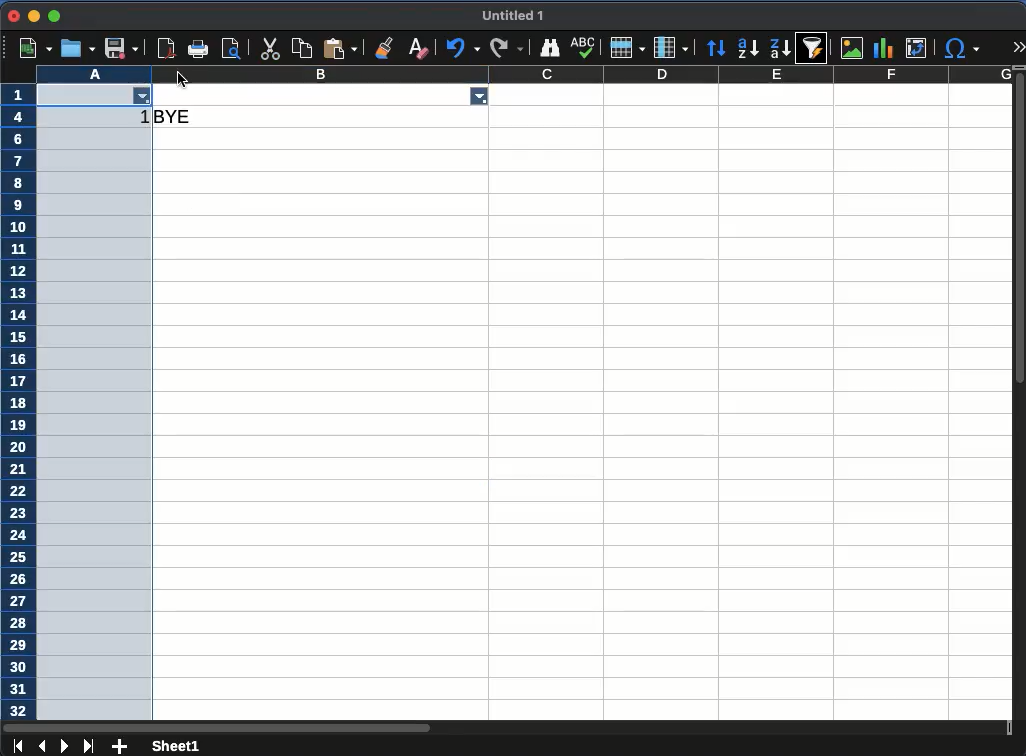 This screenshot has width=1026, height=756. Describe the element at coordinates (144, 98) in the screenshot. I see `filter` at that location.